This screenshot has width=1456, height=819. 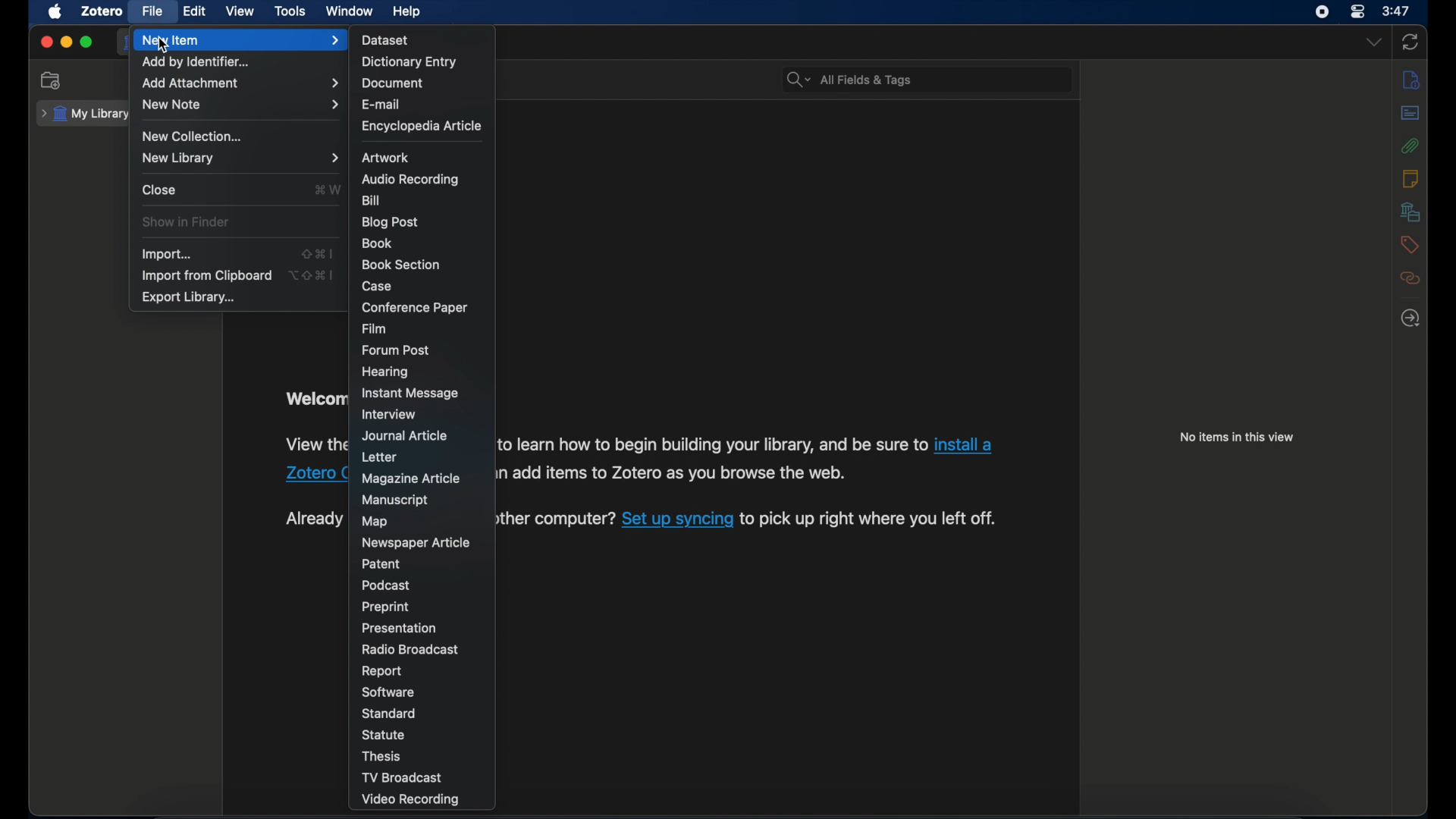 What do you see at coordinates (375, 522) in the screenshot?
I see `map` at bounding box center [375, 522].